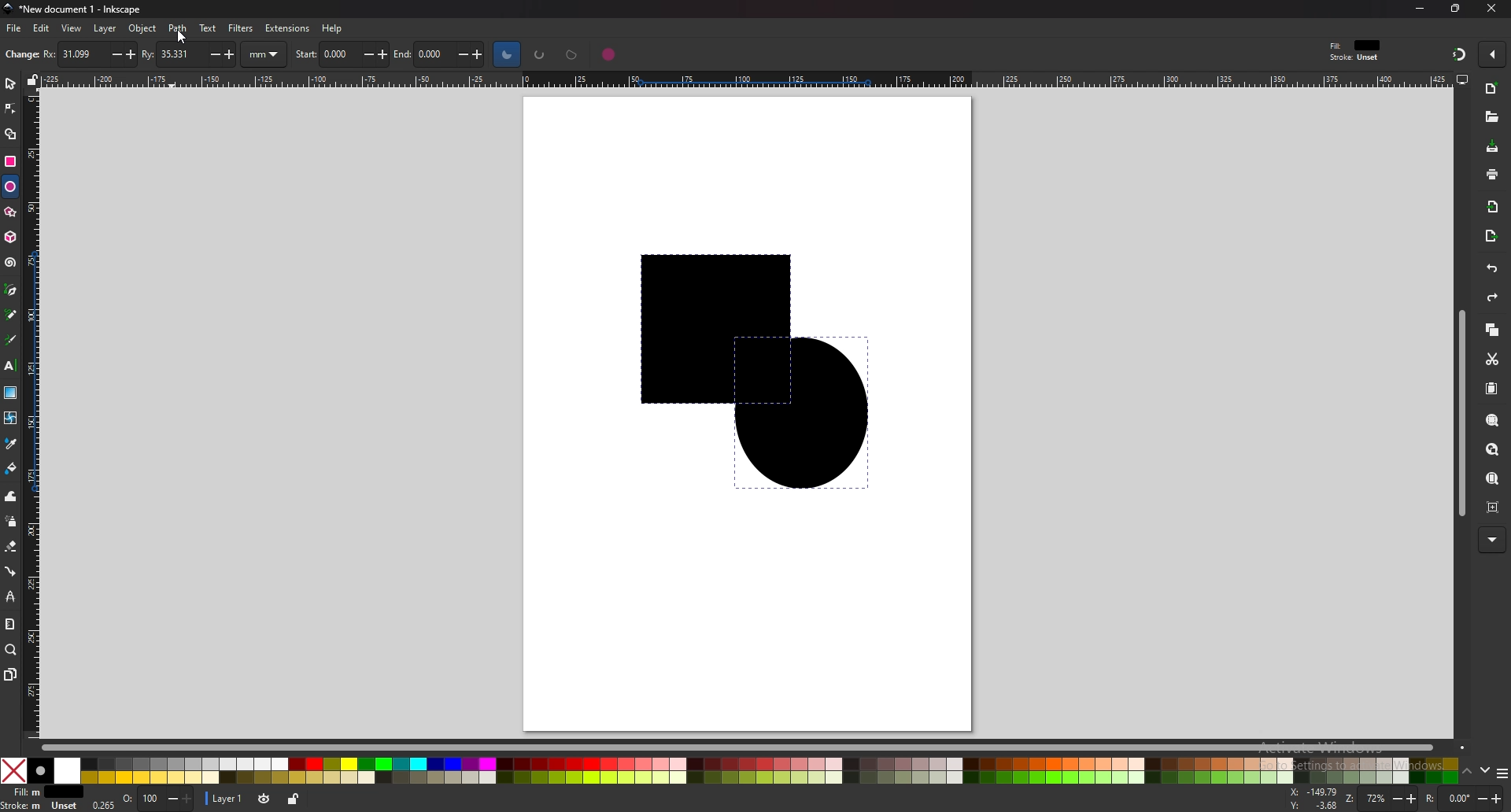 The image size is (1511, 812). What do you see at coordinates (1494, 420) in the screenshot?
I see `zoom selection` at bounding box center [1494, 420].